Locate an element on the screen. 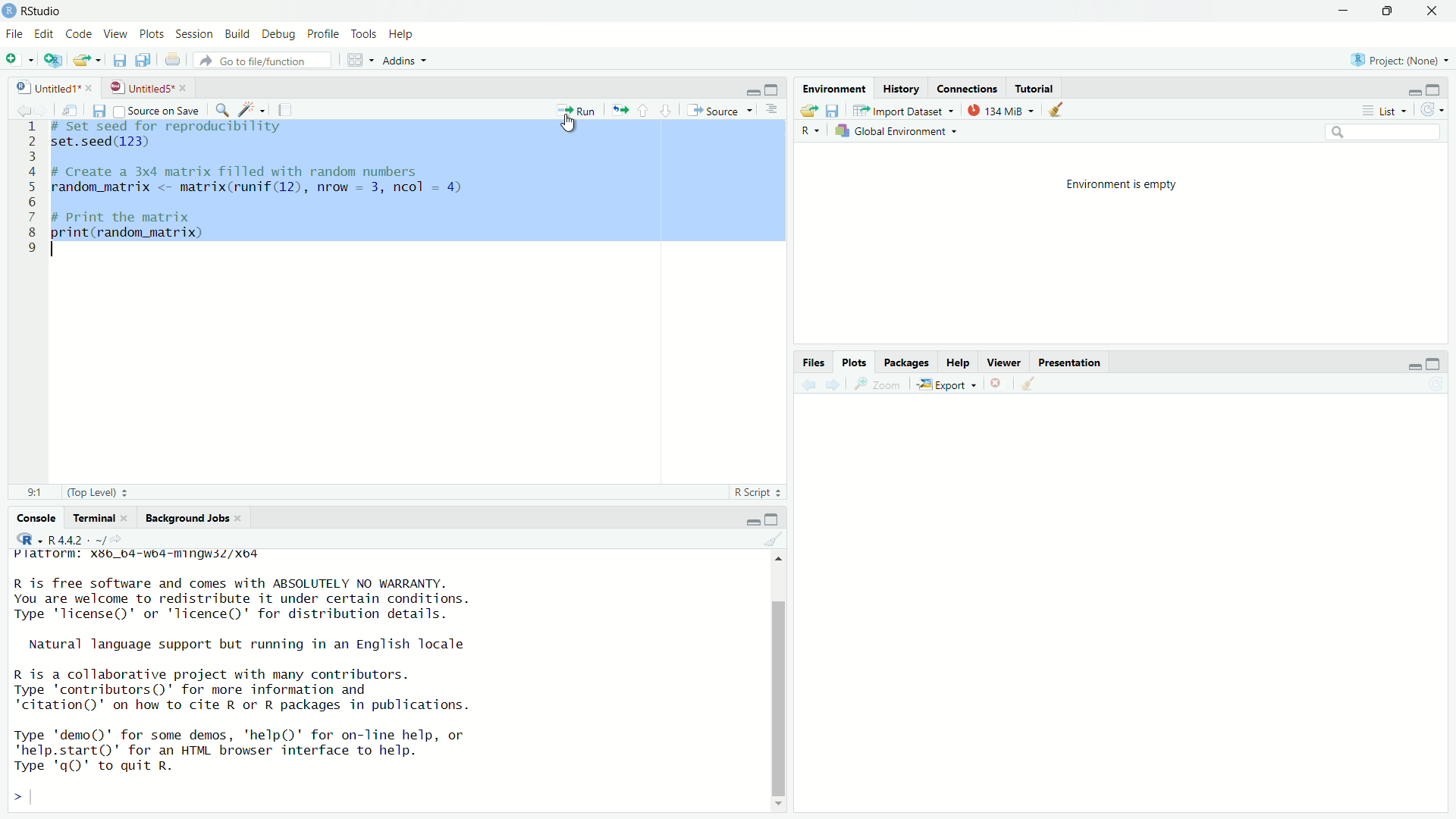 The image size is (1456, 819). Build is located at coordinates (237, 31).